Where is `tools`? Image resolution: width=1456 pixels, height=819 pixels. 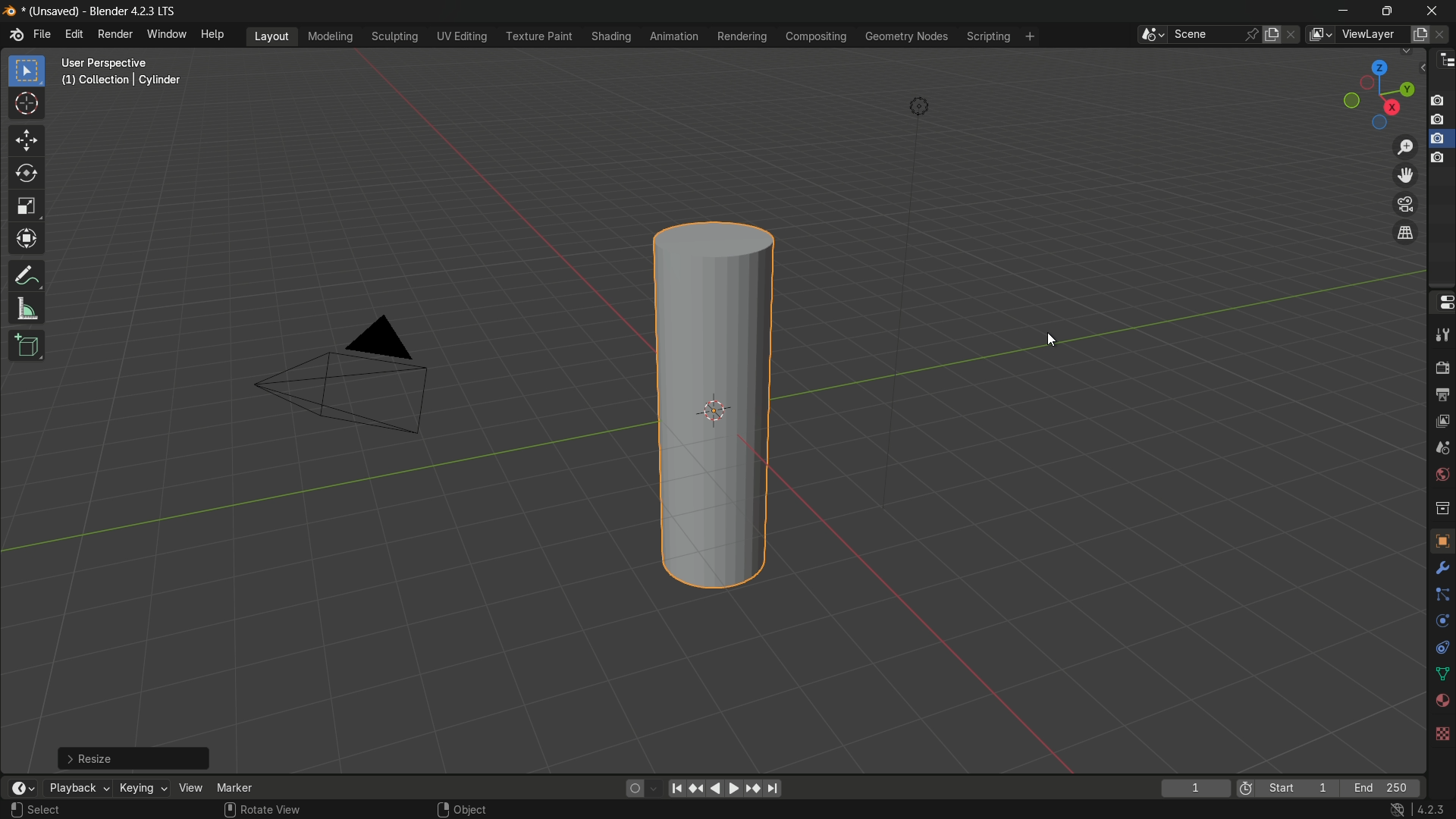 tools is located at coordinates (1439, 571).